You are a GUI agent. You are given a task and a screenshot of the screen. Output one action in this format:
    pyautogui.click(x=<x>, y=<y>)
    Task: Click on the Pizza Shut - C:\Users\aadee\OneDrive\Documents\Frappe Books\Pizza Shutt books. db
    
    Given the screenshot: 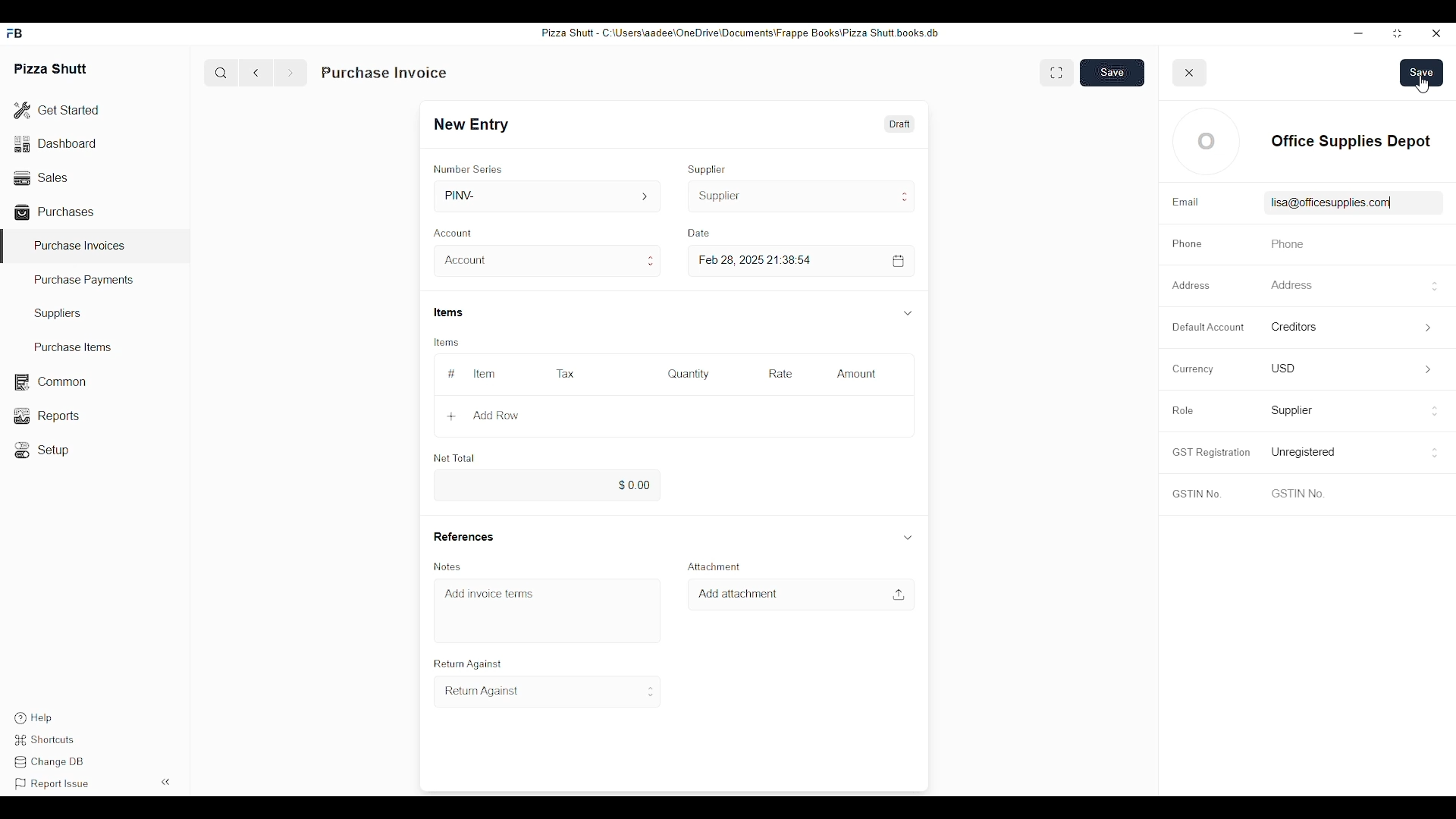 What is the action you would take?
    pyautogui.click(x=739, y=32)
    